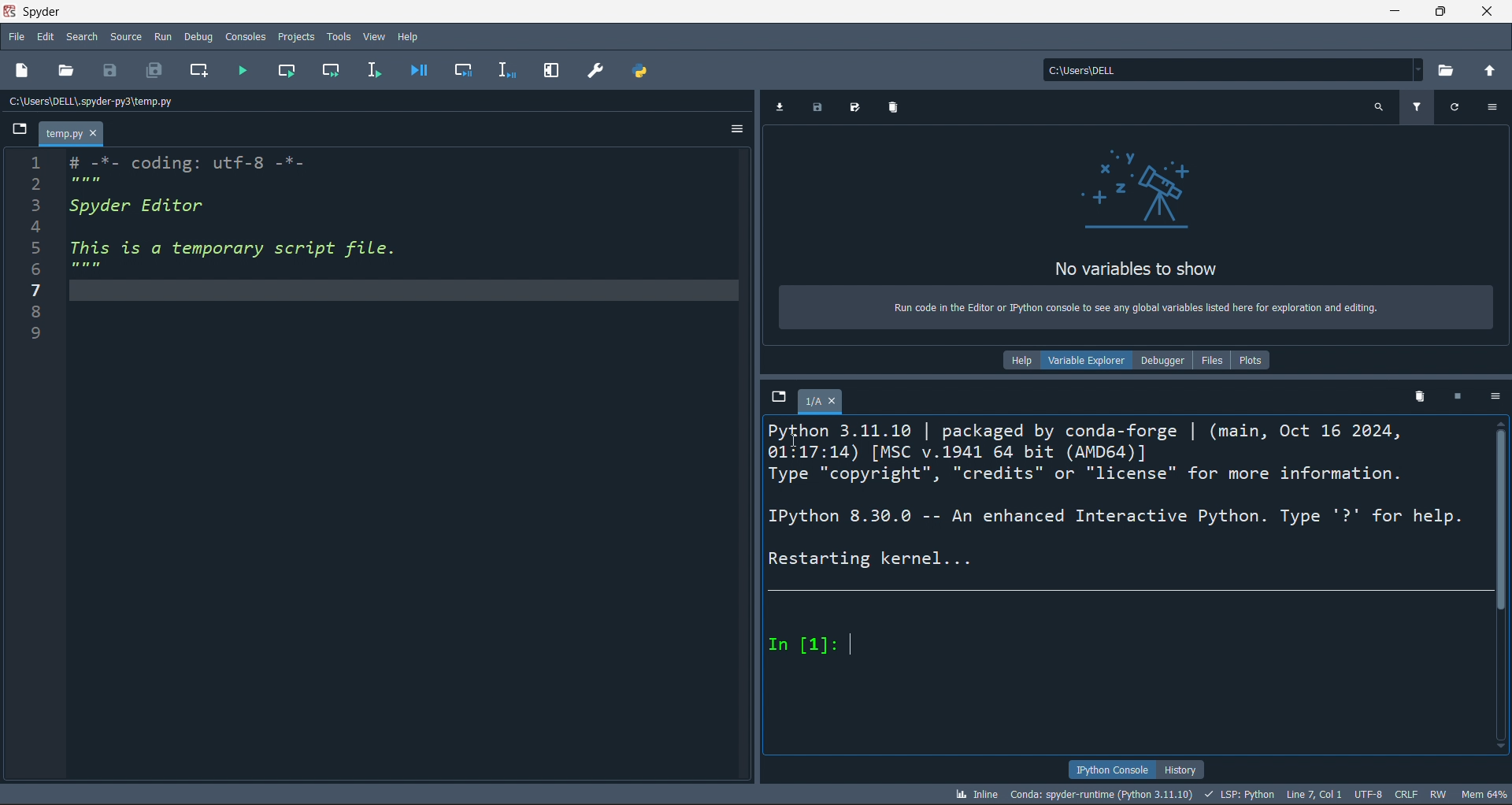  What do you see at coordinates (198, 72) in the screenshot?
I see `new cell` at bounding box center [198, 72].